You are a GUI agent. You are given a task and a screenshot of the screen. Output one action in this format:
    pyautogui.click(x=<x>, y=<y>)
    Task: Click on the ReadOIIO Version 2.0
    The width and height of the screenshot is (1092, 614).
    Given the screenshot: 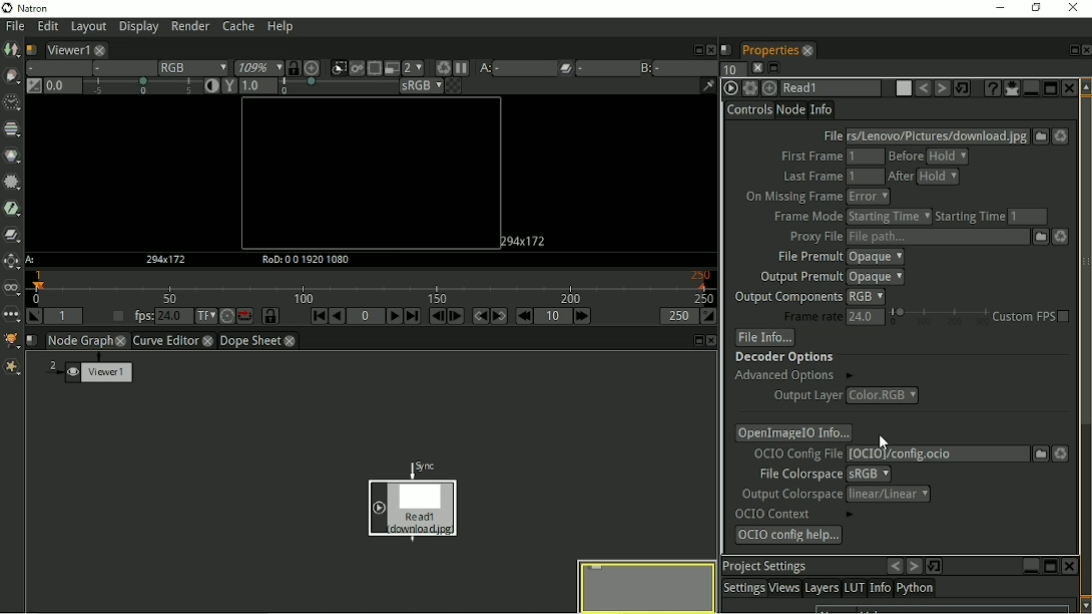 What is the action you would take?
    pyautogui.click(x=993, y=87)
    